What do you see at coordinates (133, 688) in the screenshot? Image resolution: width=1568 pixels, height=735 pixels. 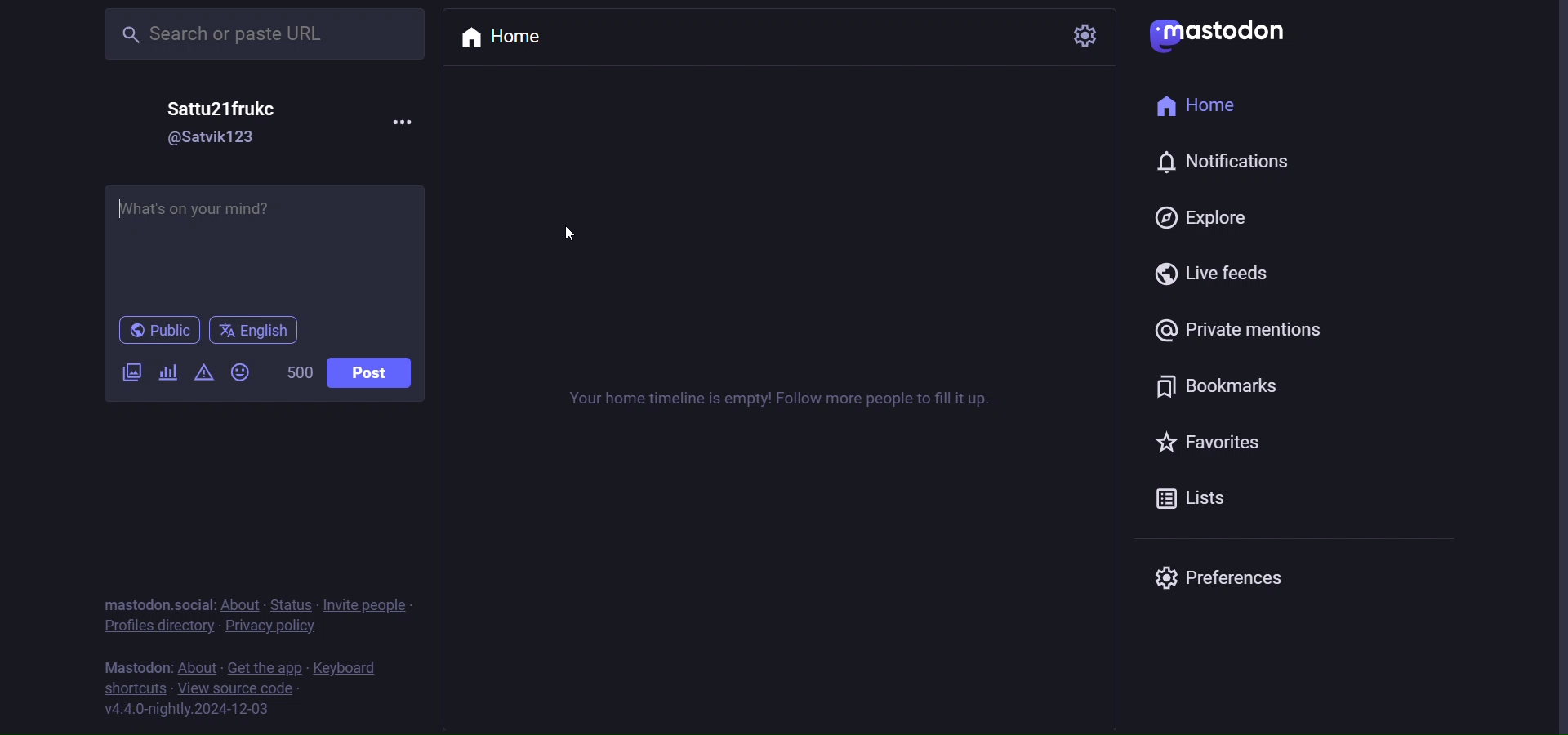 I see `shortcuts` at bounding box center [133, 688].